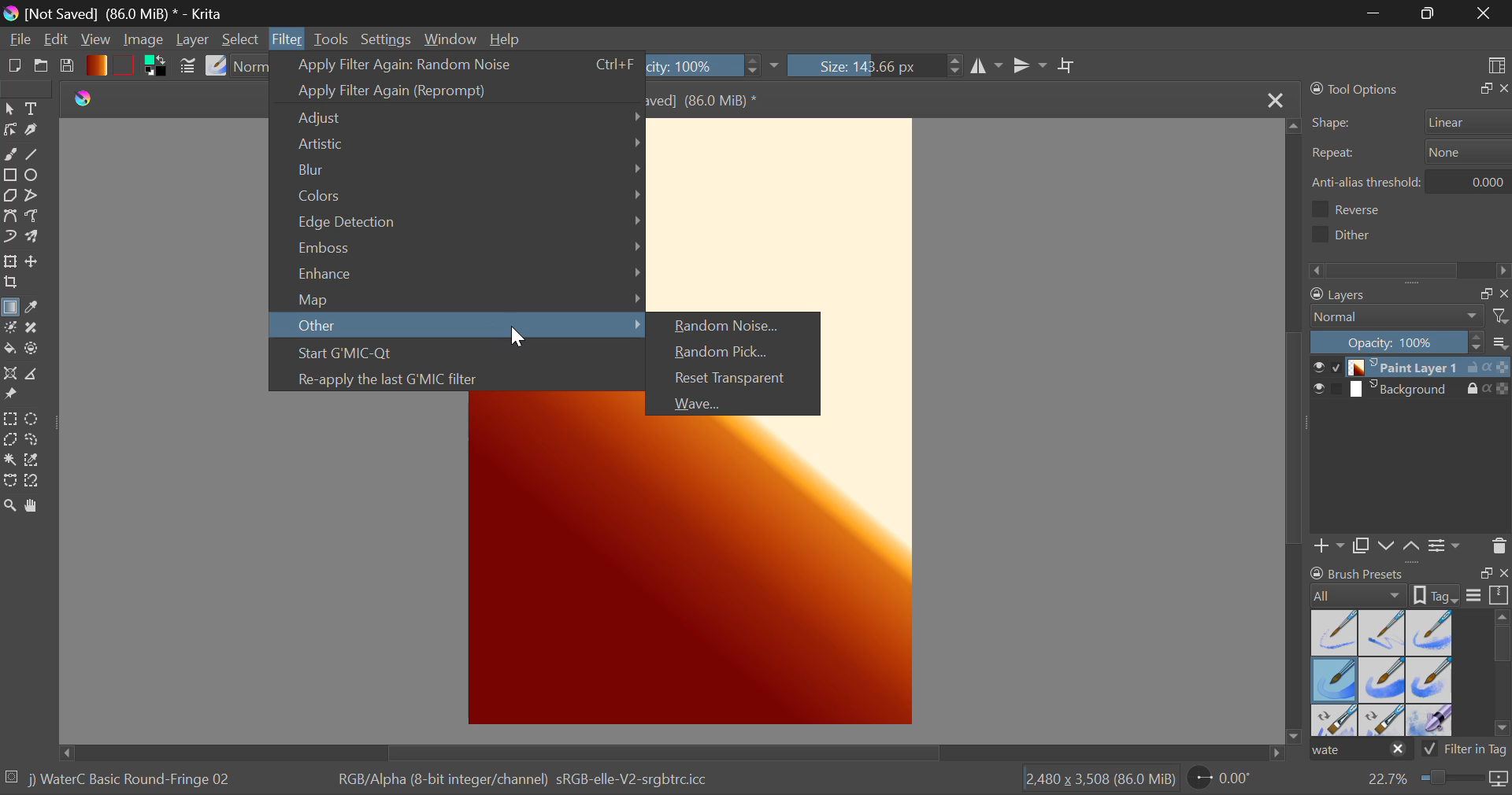  Describe the element at coordinates (9, 261) in the screenshot. I see `Transform Layers` at that location.